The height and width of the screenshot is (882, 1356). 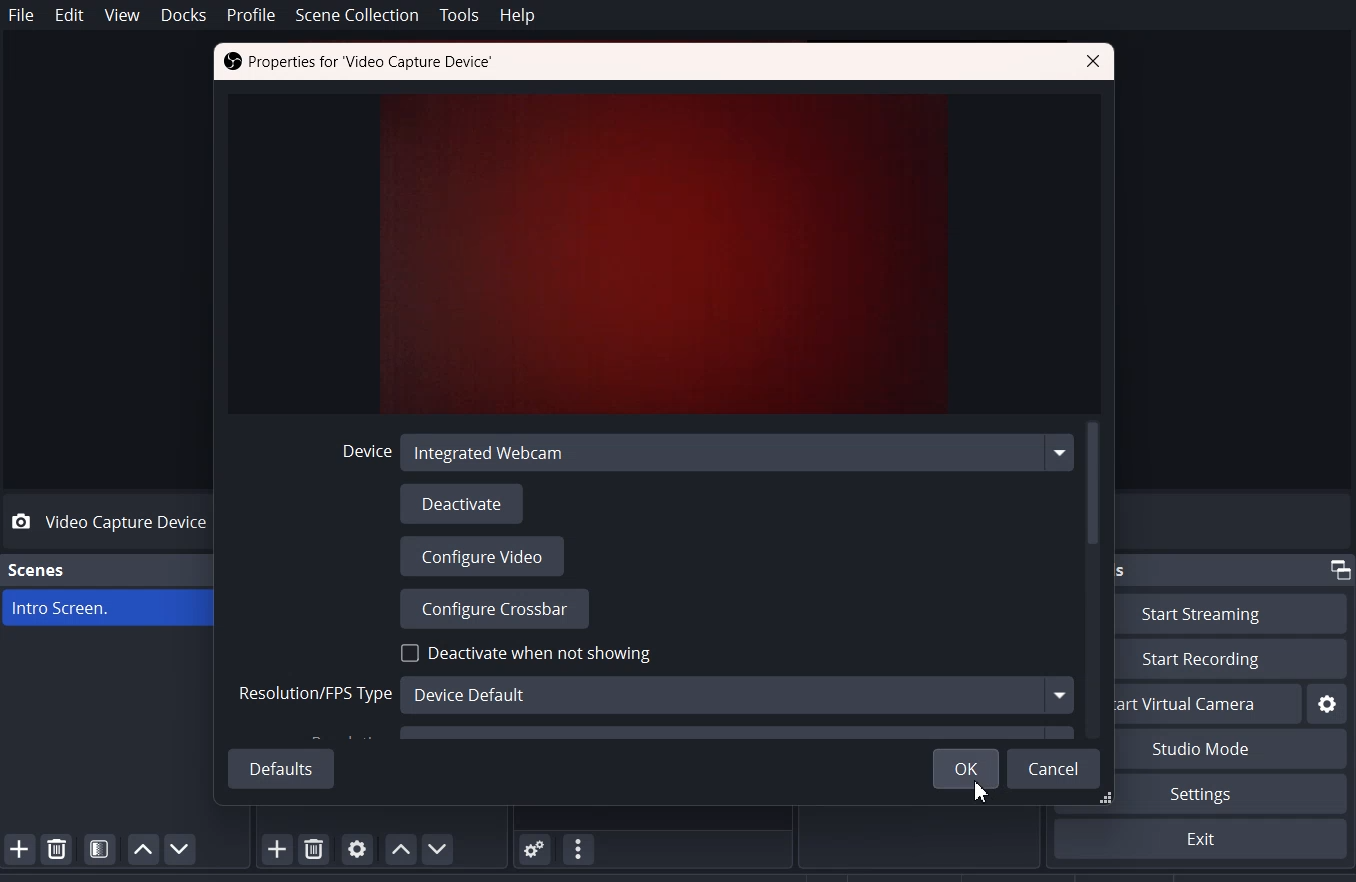 I want to click on Add Source, so click(x=268, y=851).